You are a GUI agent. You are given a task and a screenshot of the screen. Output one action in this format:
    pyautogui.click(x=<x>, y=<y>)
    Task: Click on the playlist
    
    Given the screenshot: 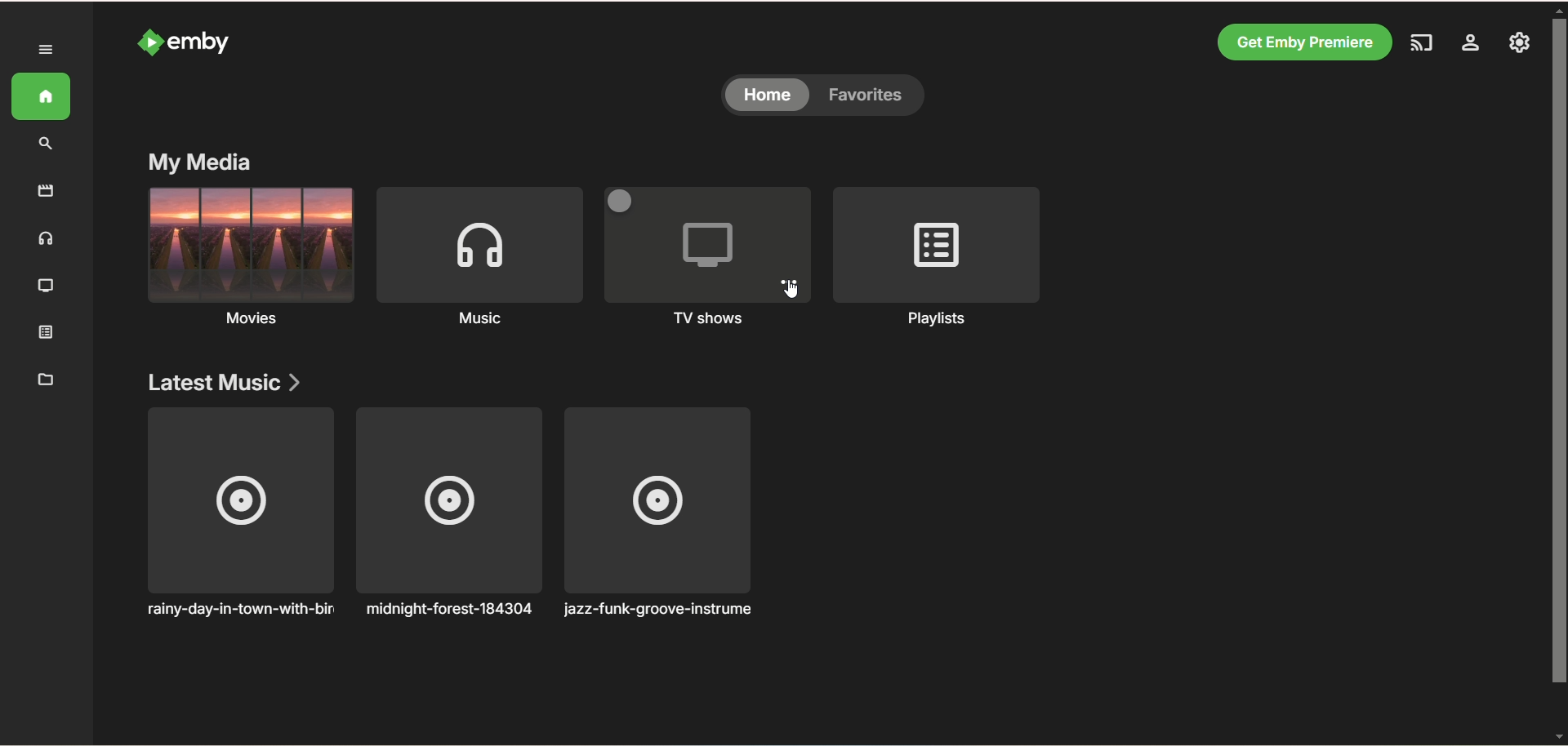 What is the action you would take?
    pyautogui.click(x=51, y=334)
    